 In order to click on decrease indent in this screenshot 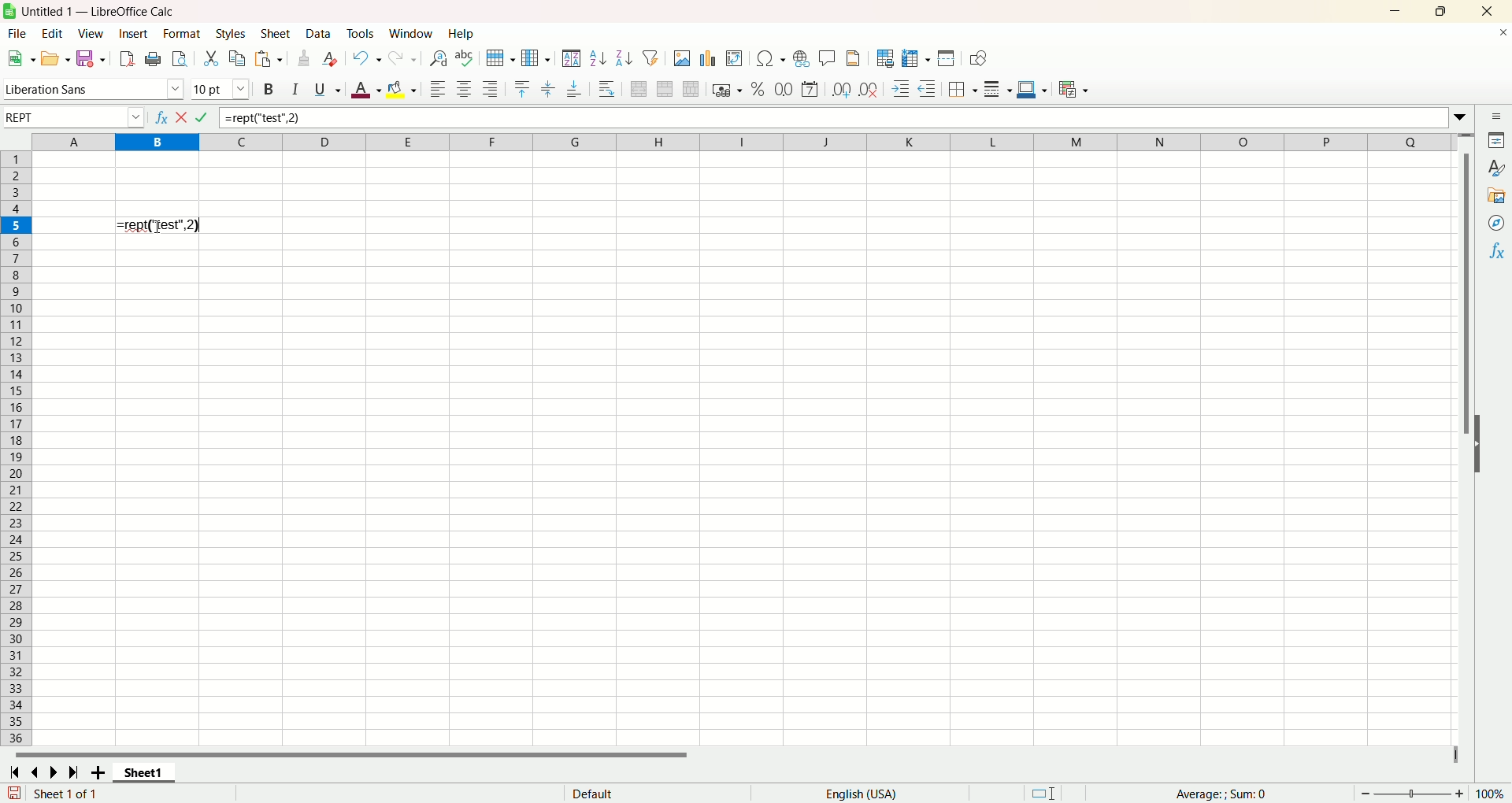, I will do `click(929, 89)`.